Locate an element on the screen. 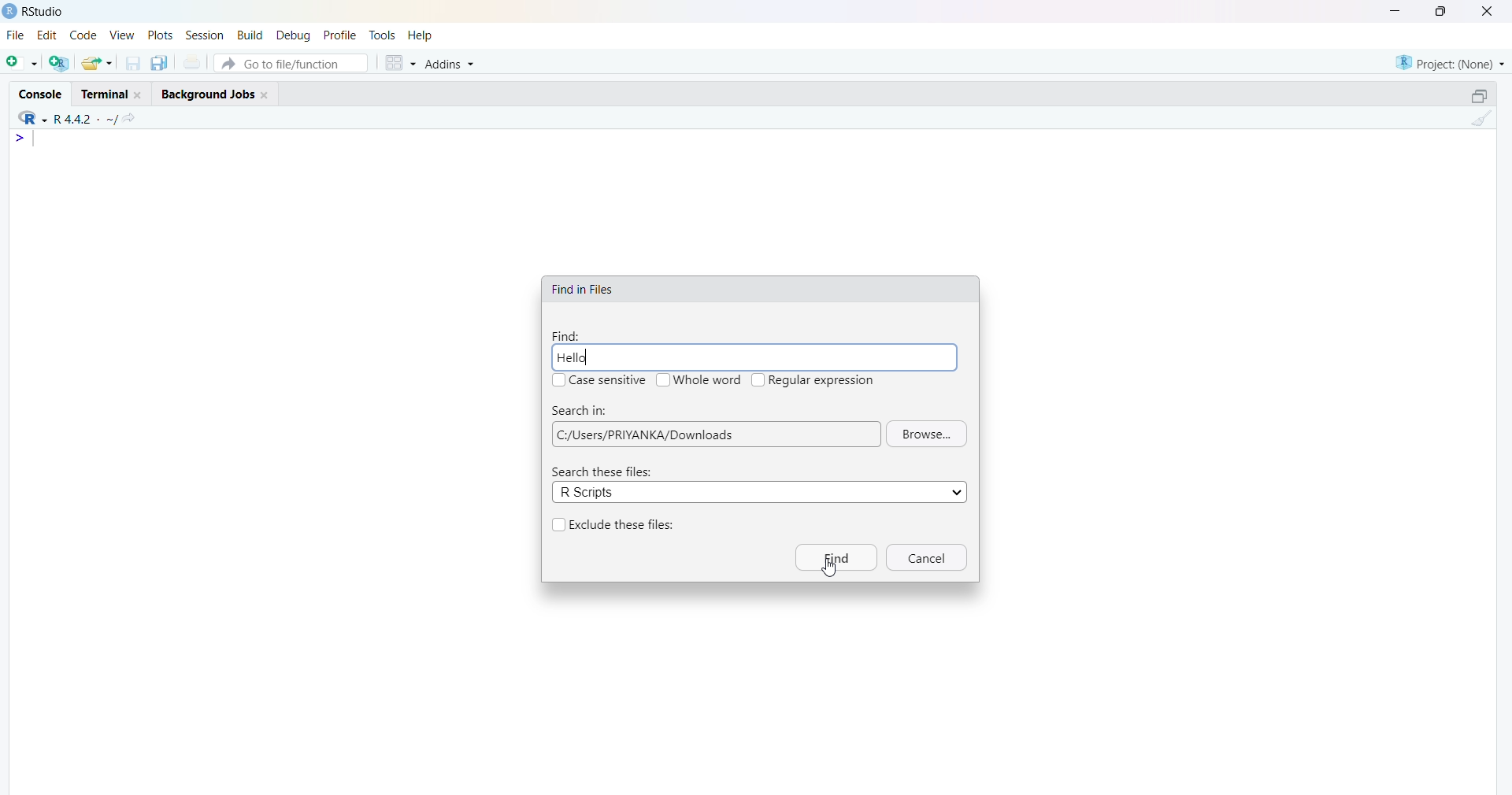 The width and height of the screenshot is (1512, 795). RStudio is located at coordinates (43, 12).